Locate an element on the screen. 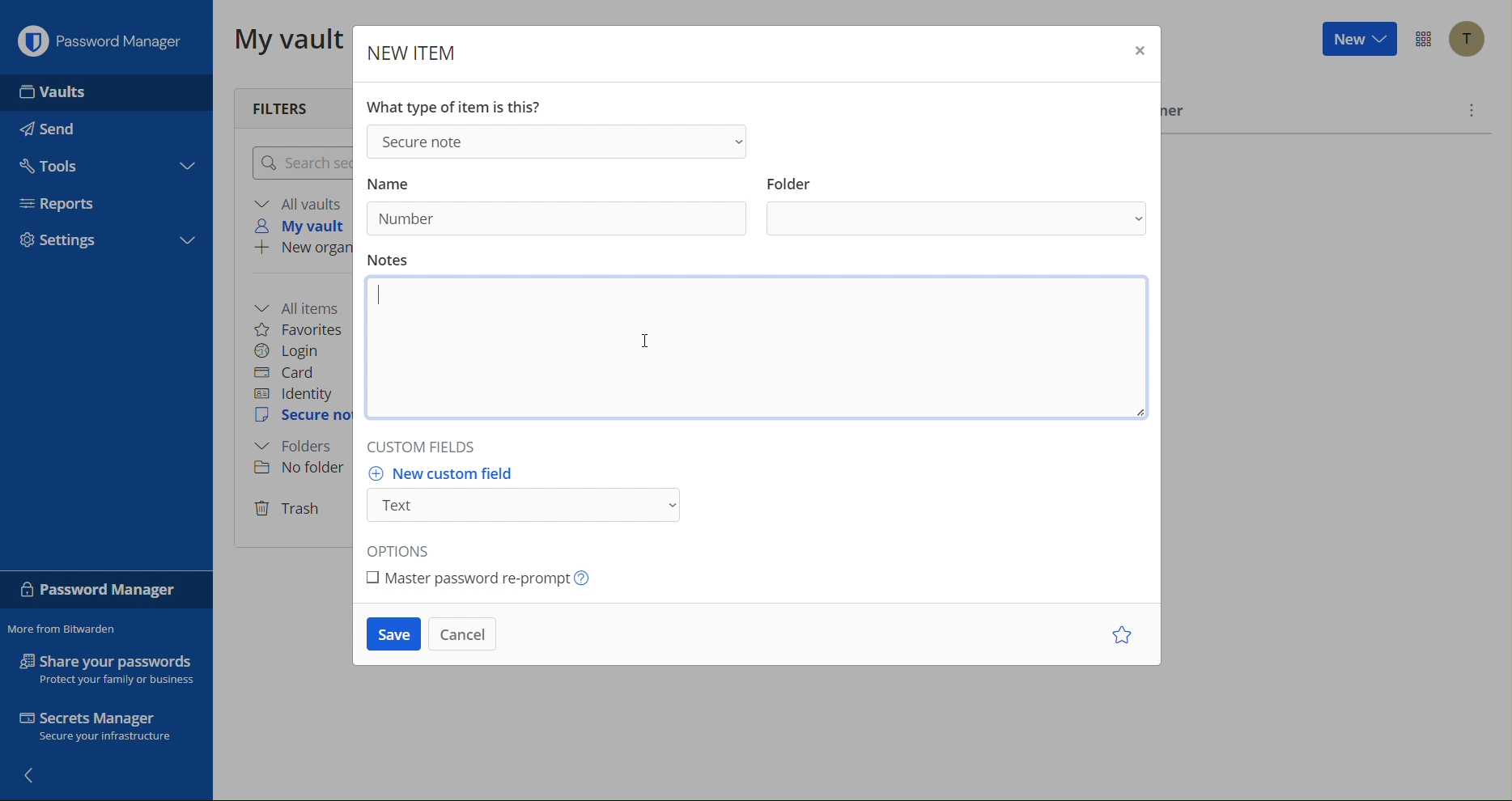 Image resolution: width=1512 pixels, height=801 pixels. My vault is located at coordinates (306, 227).